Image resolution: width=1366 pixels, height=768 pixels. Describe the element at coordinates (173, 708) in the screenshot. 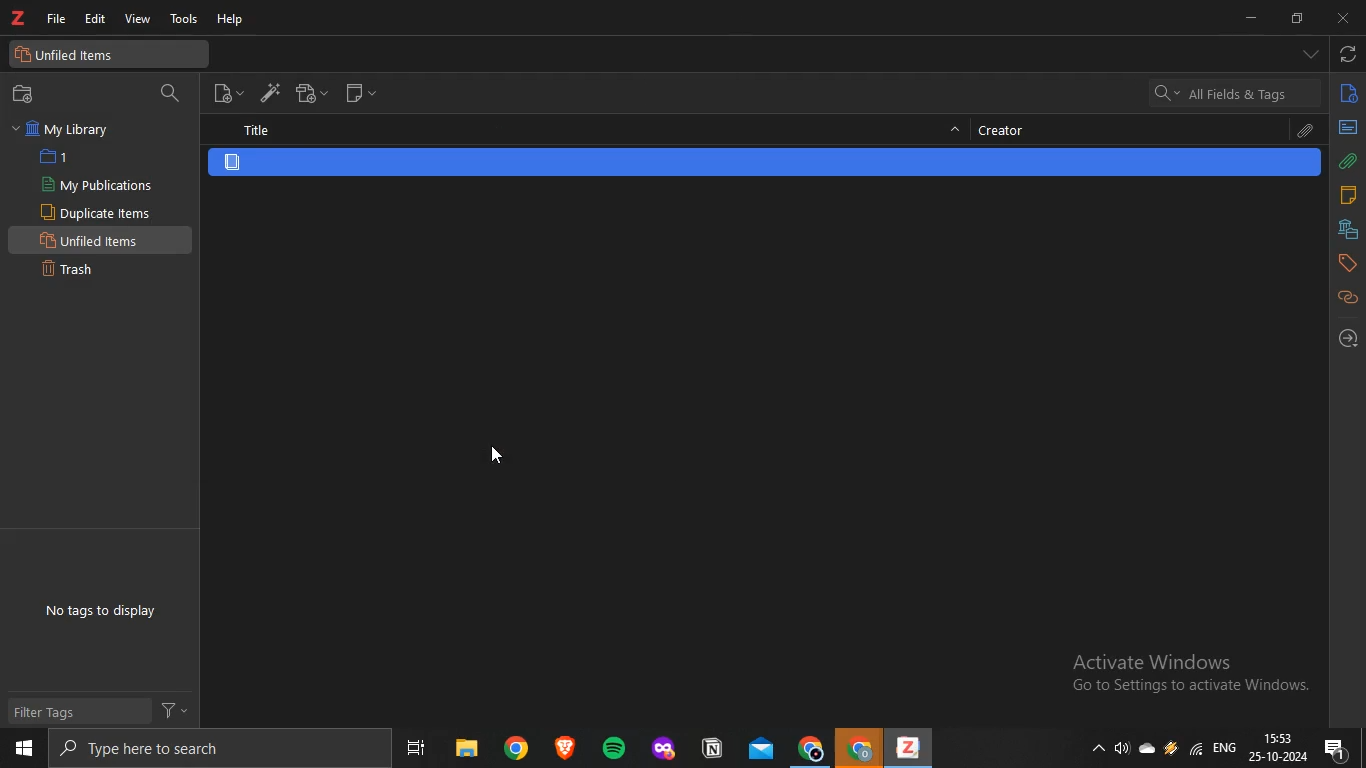

I see `filter` at that location.